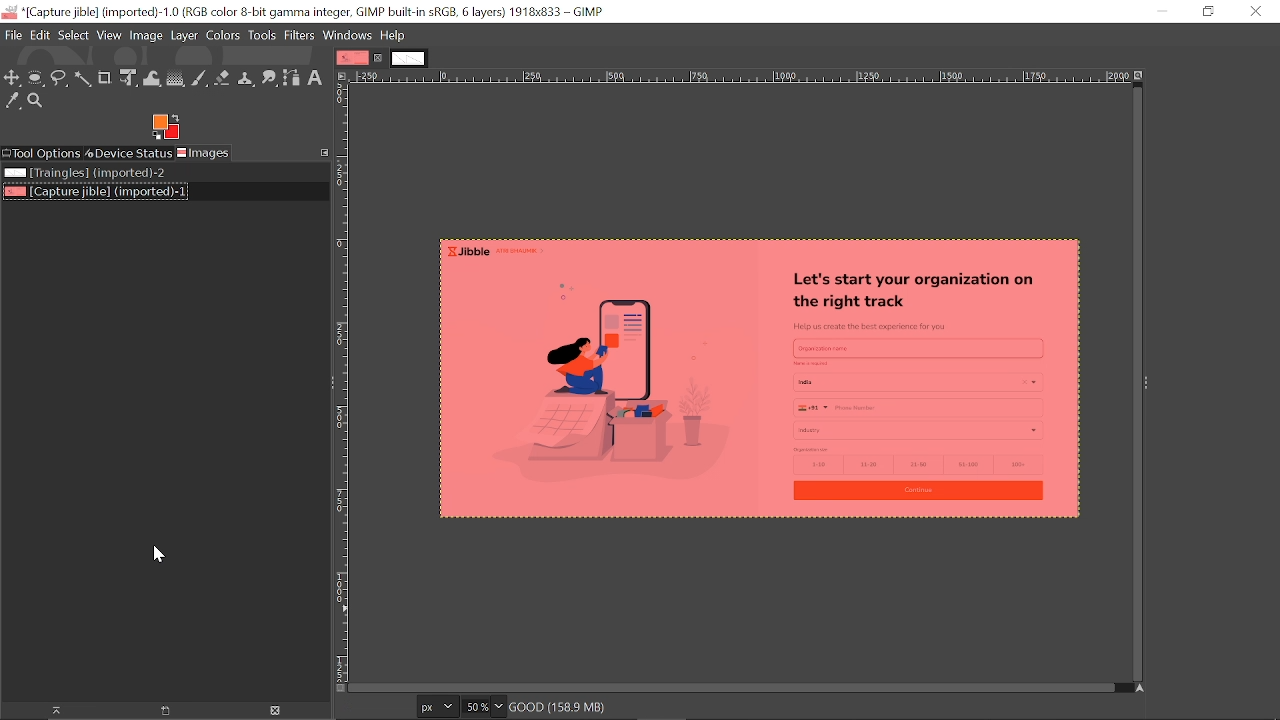 This screenshot has width=1280, height=720. Describe the element at coordinates (83, 79) in the screenshot. I see `Fuzzy select tool` at that location.